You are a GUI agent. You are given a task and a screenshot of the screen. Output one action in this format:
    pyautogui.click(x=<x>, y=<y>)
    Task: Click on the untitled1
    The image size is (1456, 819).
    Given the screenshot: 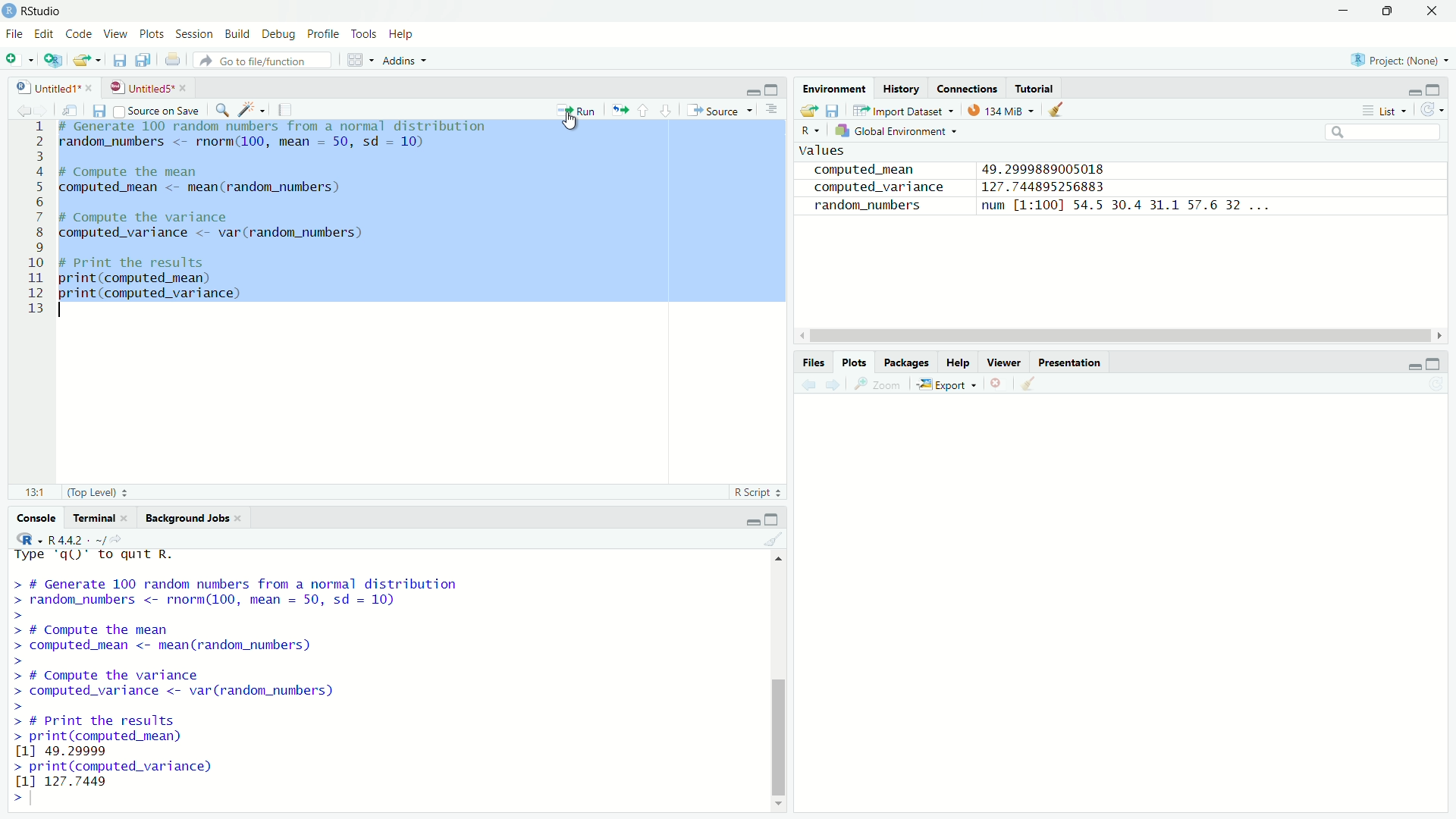 What is the action you would take?
    pyautogui.click(x=39, y=86)
    